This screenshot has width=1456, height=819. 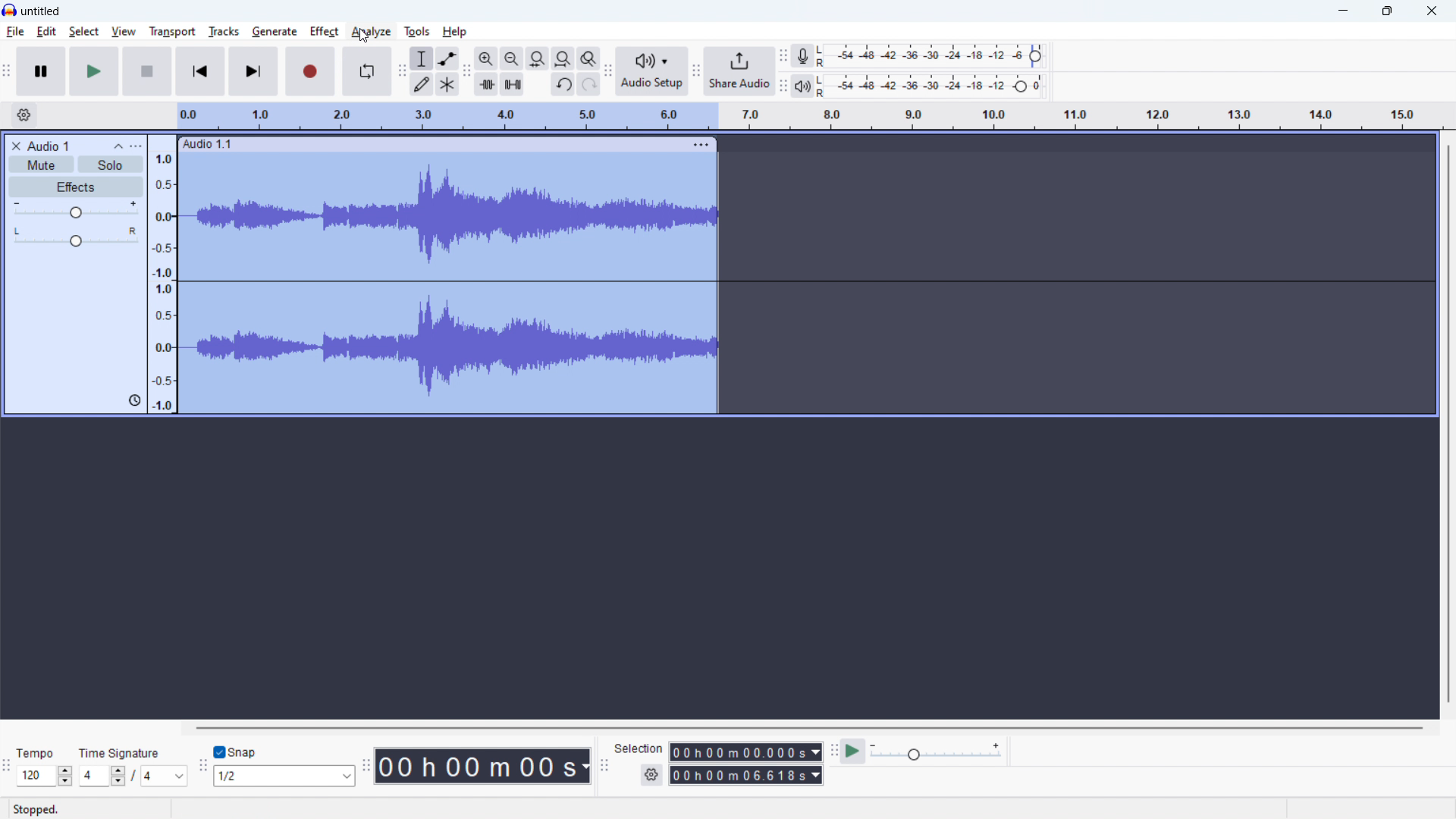 What do you see at coordinates (422, 58) in the screenshot?
I see `selection tool` at bounding box center [422, 58].